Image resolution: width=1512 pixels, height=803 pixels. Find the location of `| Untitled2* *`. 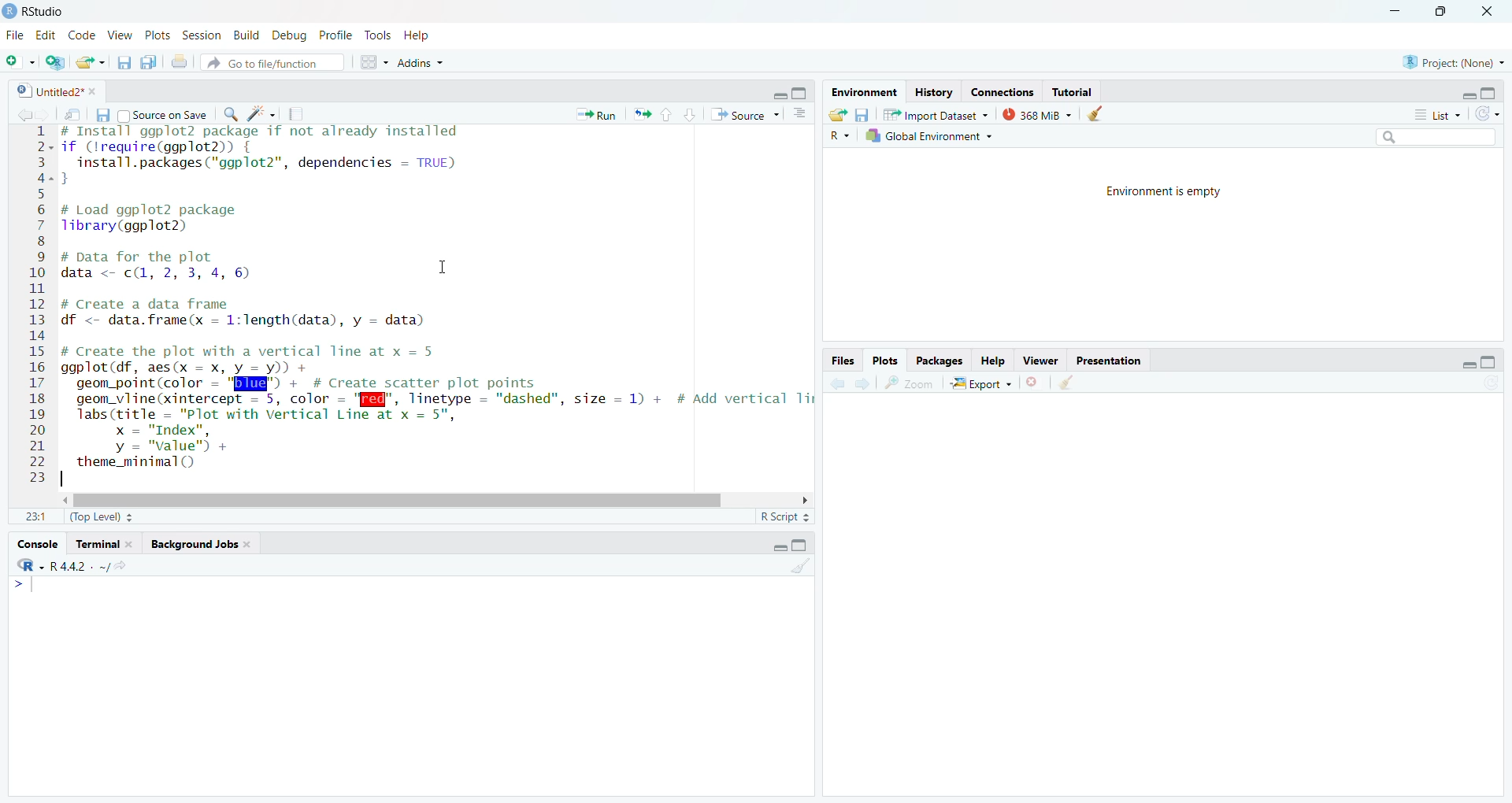

| Untitled2* * is located at coordinates (51, 90).